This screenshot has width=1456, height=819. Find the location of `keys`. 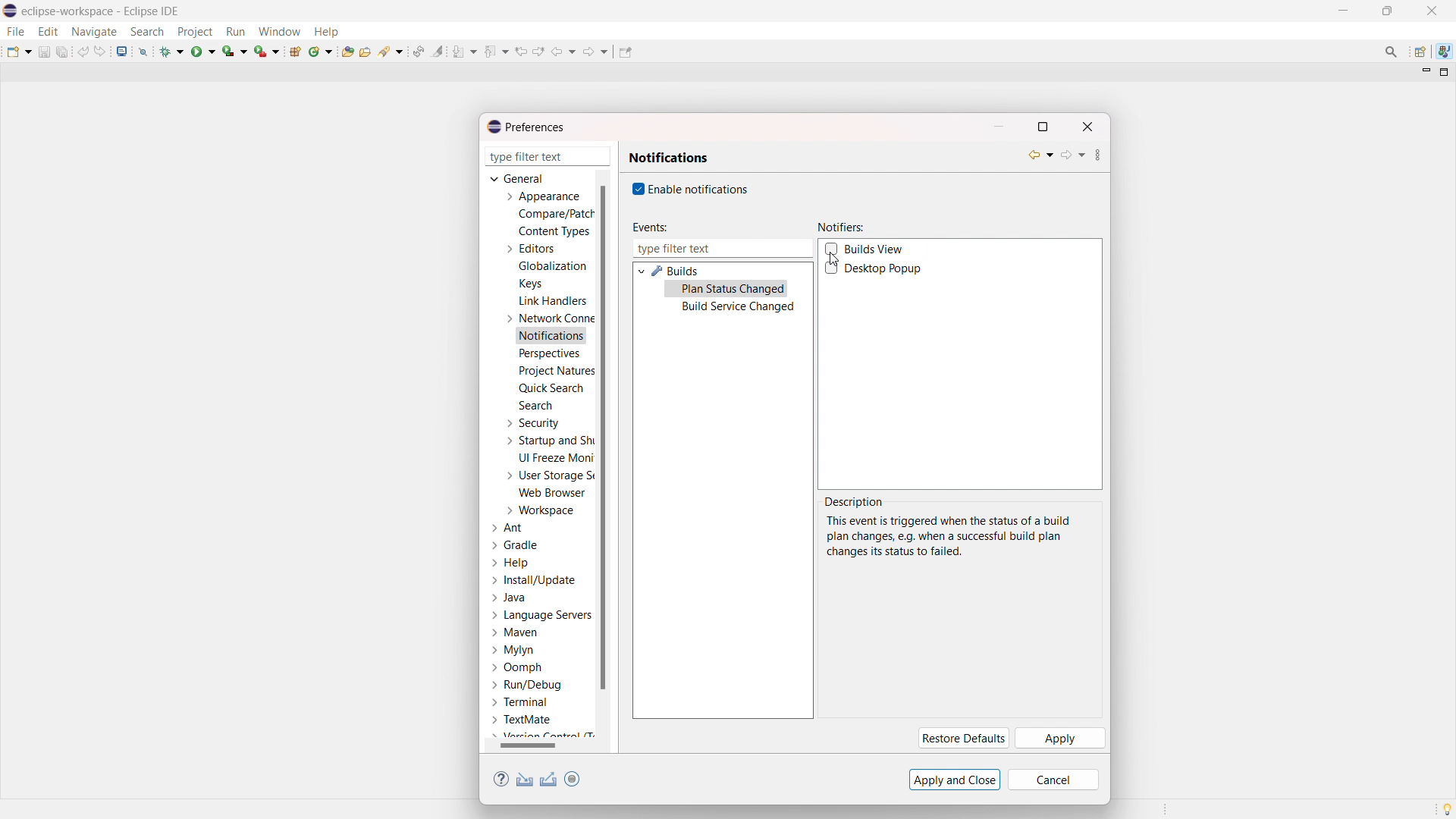

keys is located at coordinates (530, 283).